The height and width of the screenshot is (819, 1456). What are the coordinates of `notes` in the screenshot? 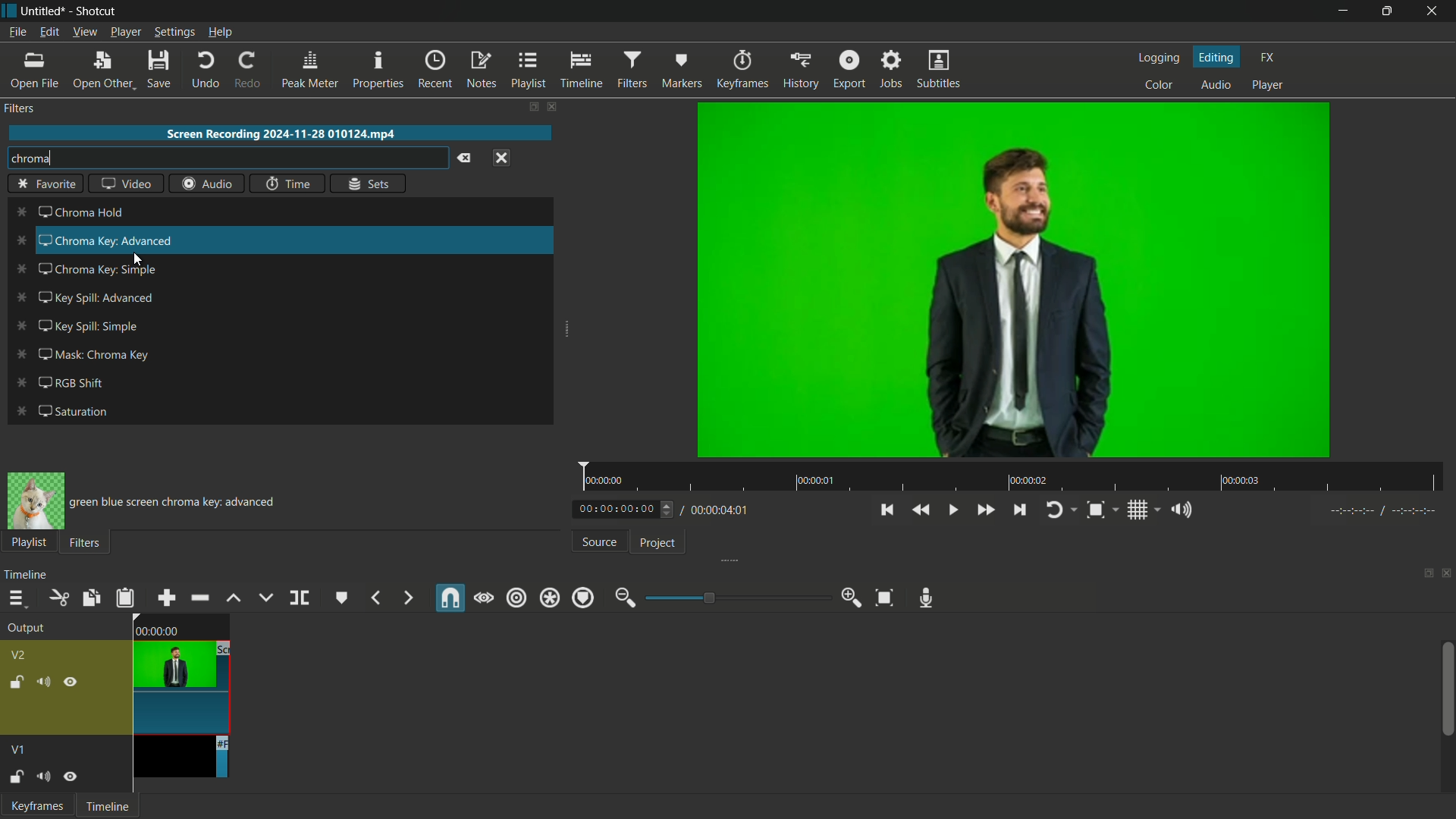 It's located at (481, 71).